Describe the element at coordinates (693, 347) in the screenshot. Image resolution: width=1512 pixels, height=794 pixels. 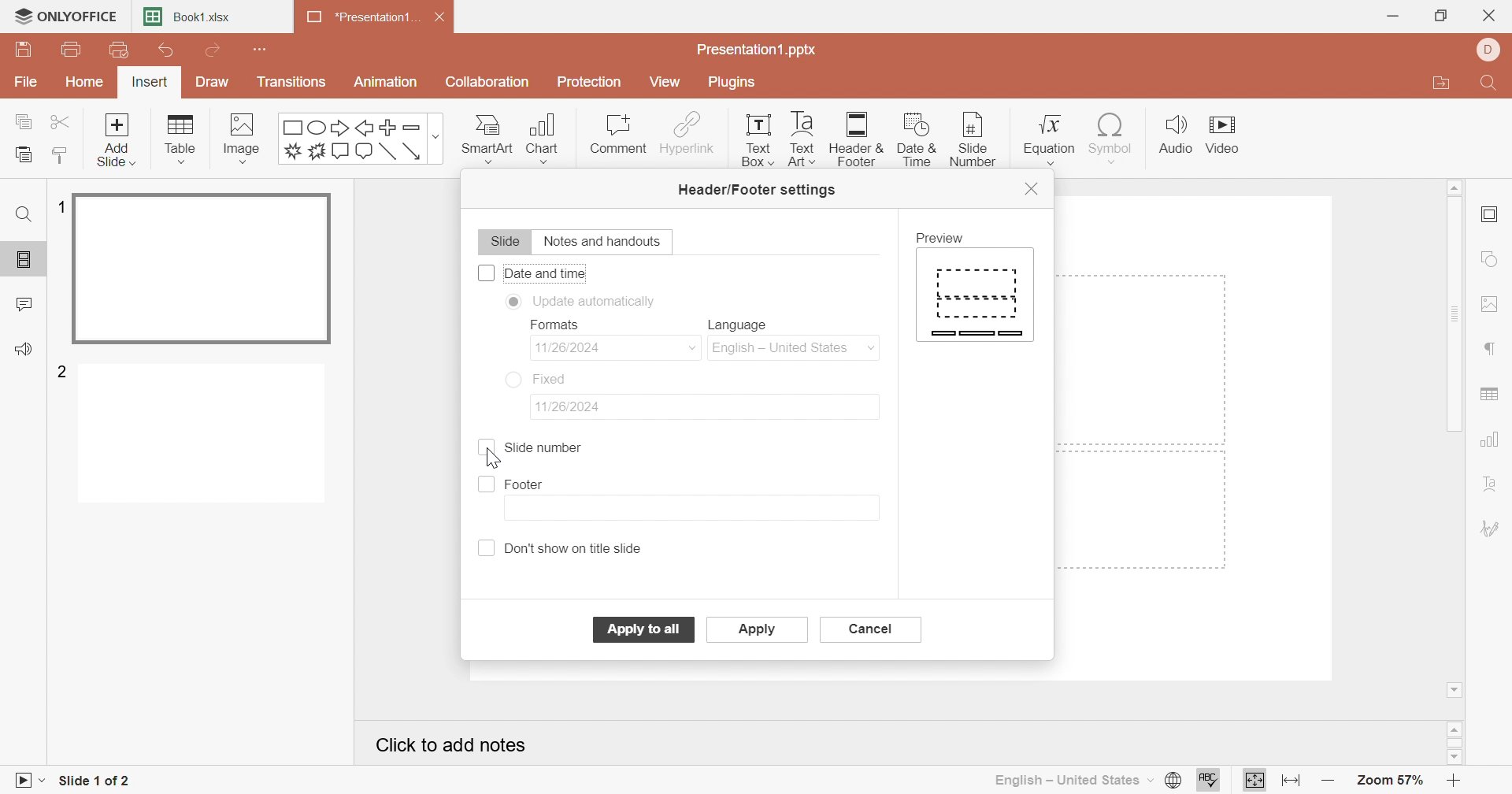
I see `Drop down` at that location.